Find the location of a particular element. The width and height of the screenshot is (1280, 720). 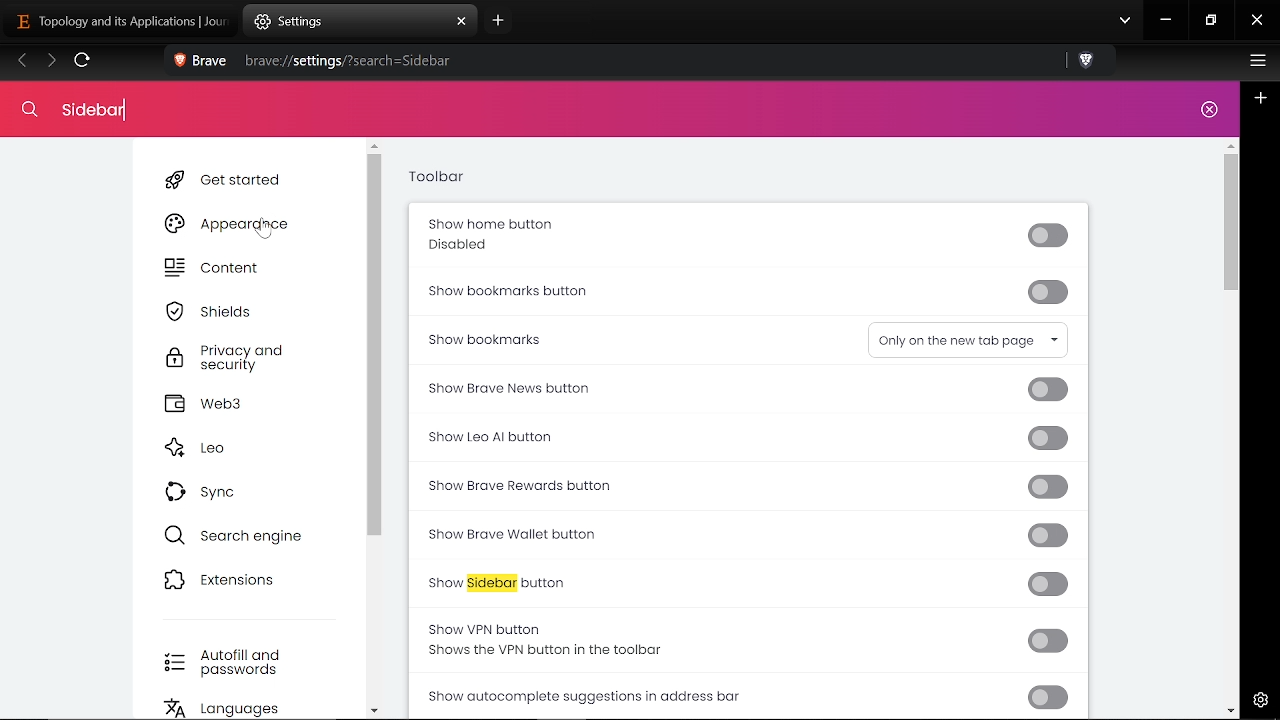

Show sidebar button is located at coordinates (749, 583).